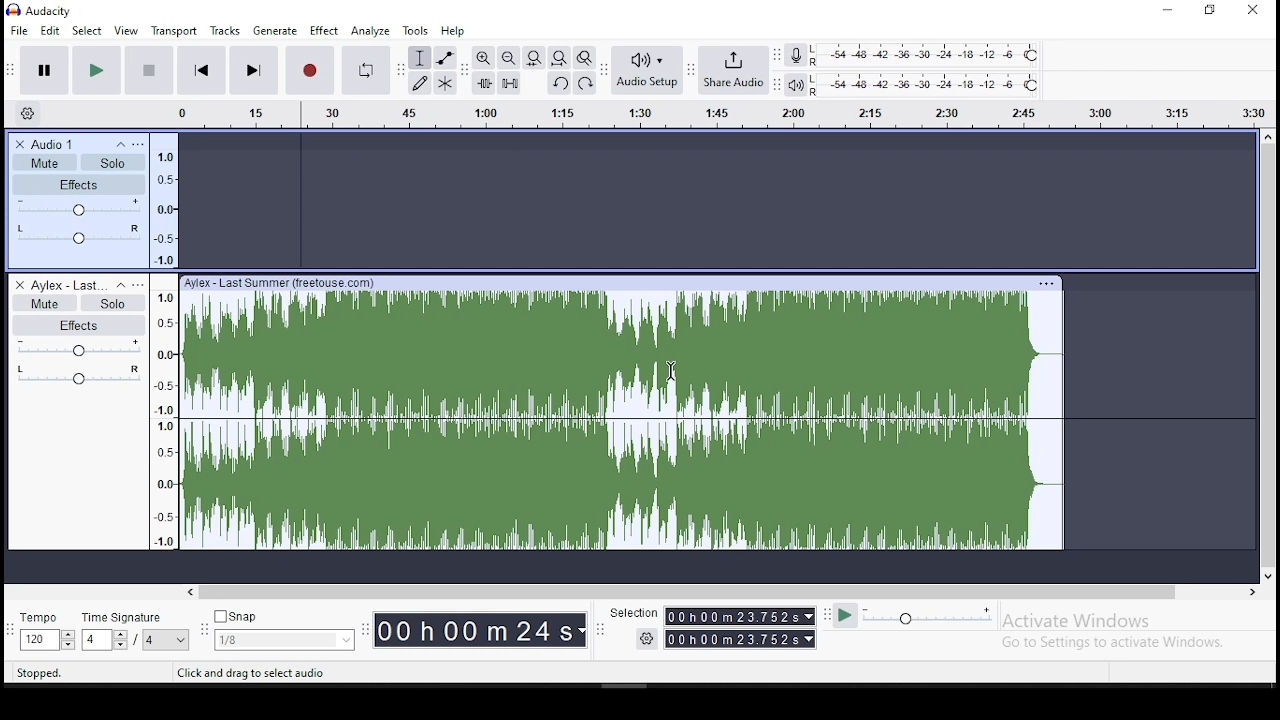  What do you see at coordinates (795, 56) in the screenshot?
I see `record mixer` at bounding box center [795, 56].